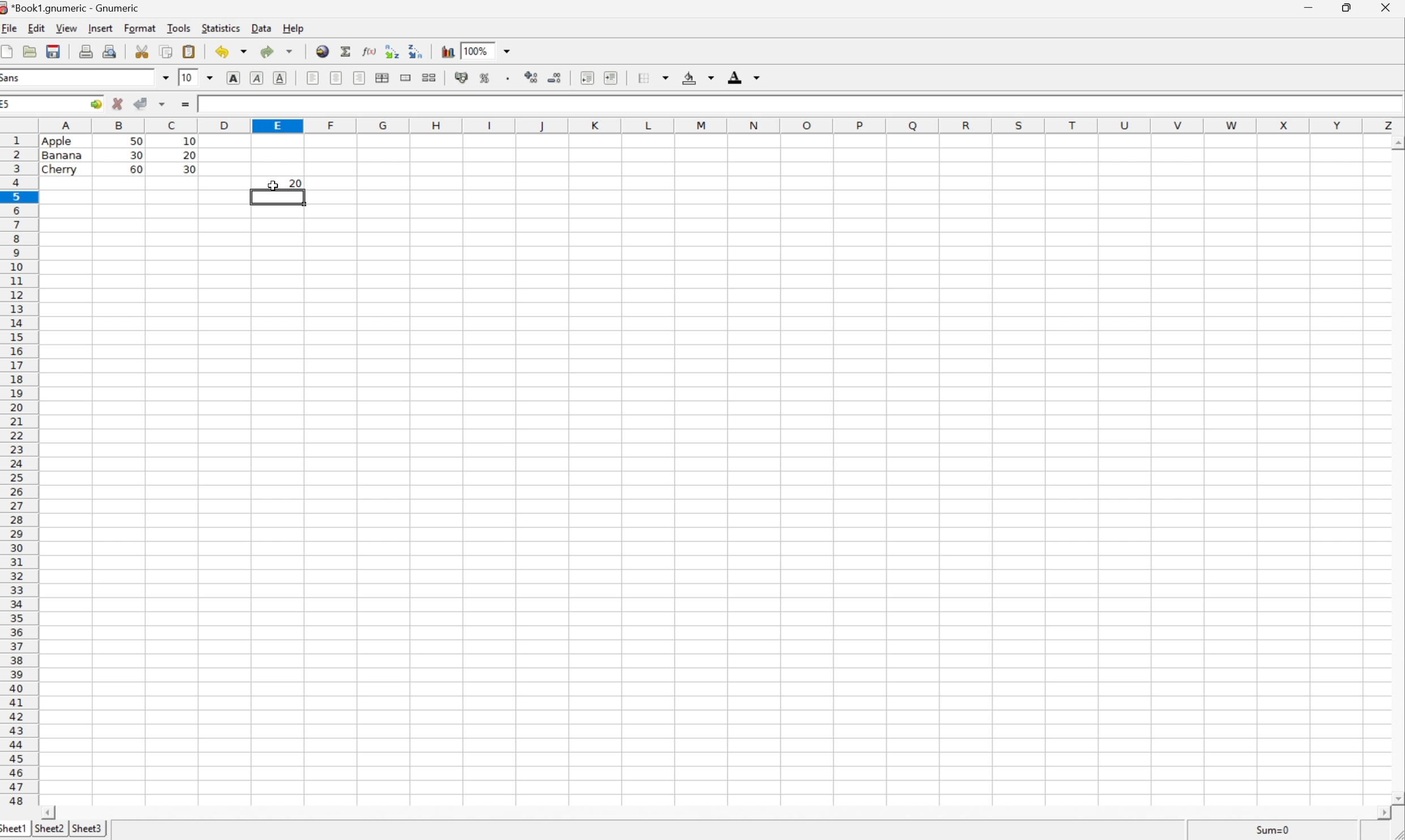  I want to click on restore down, so click(1350, 7).